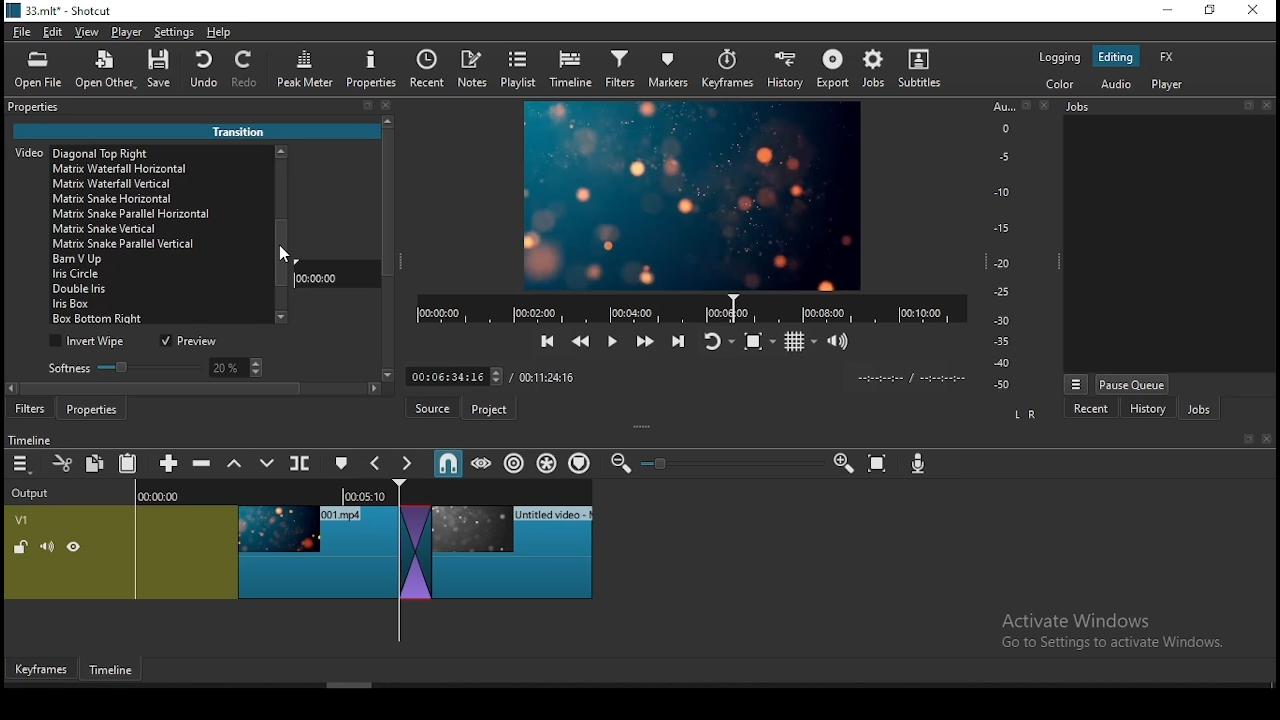  I want to click on Video [Dissolve, so click(86, 151).